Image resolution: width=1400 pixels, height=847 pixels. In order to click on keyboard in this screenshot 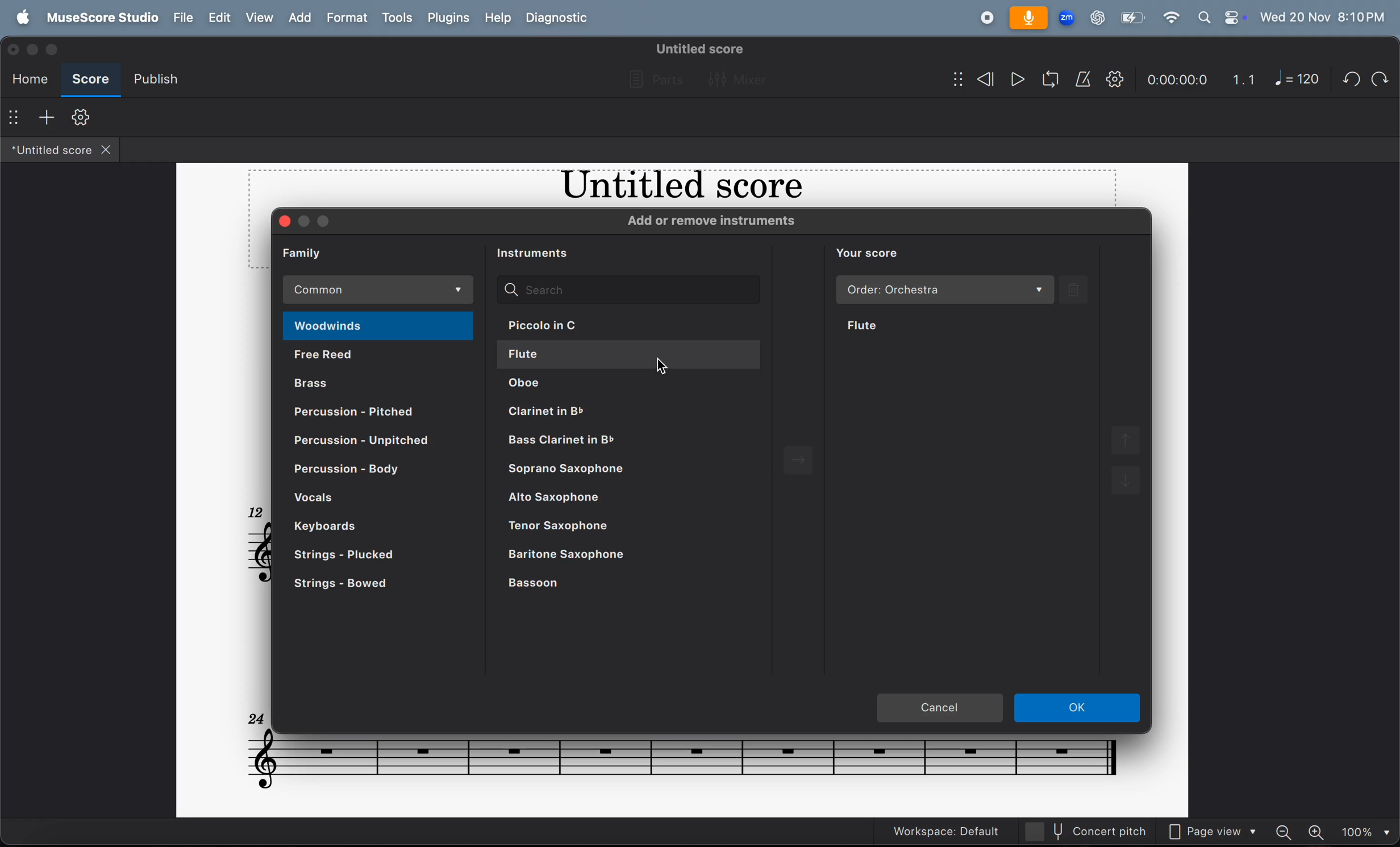, I will do `click(354, 526)`.